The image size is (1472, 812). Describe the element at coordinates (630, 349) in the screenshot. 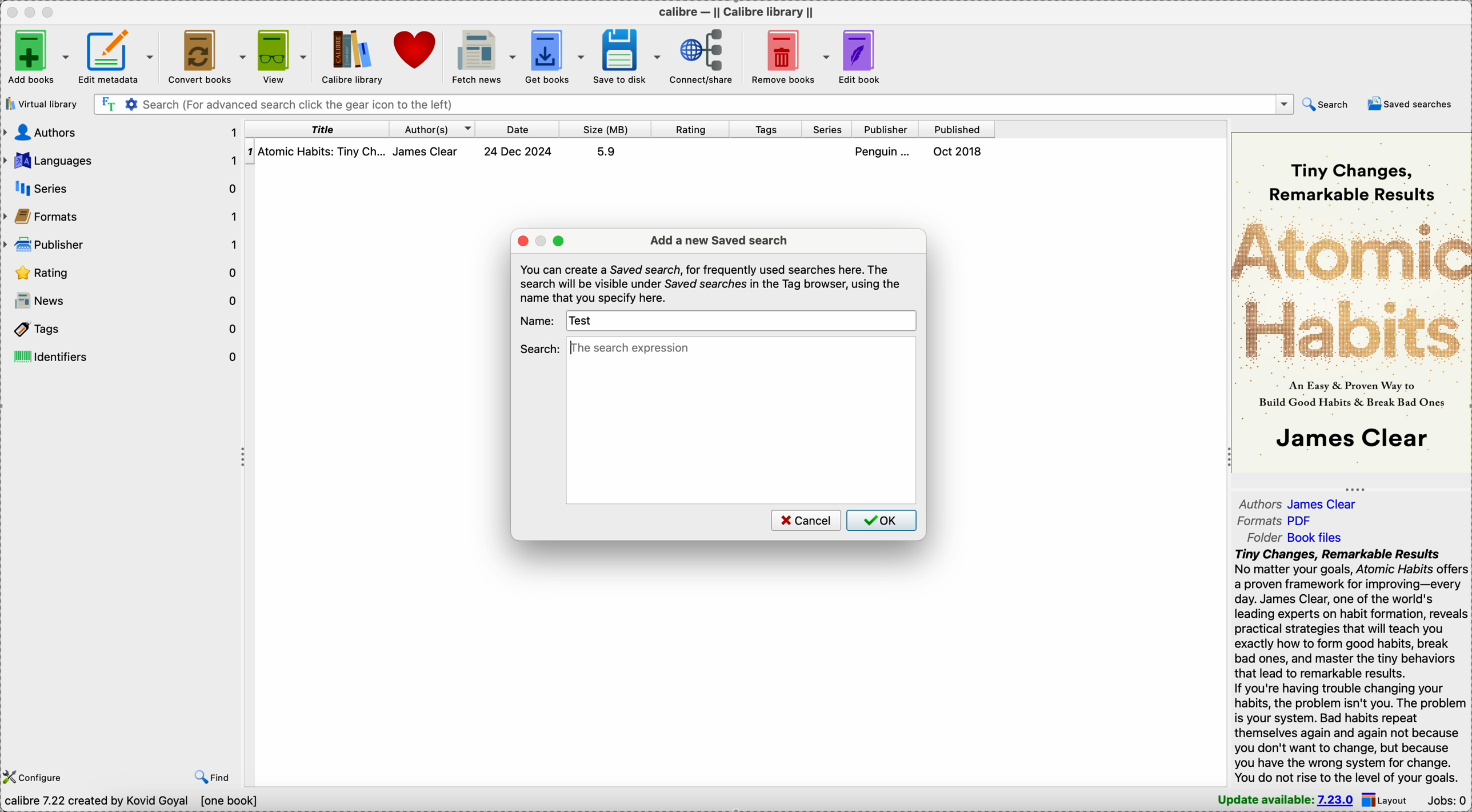

I see `typing` at that location.